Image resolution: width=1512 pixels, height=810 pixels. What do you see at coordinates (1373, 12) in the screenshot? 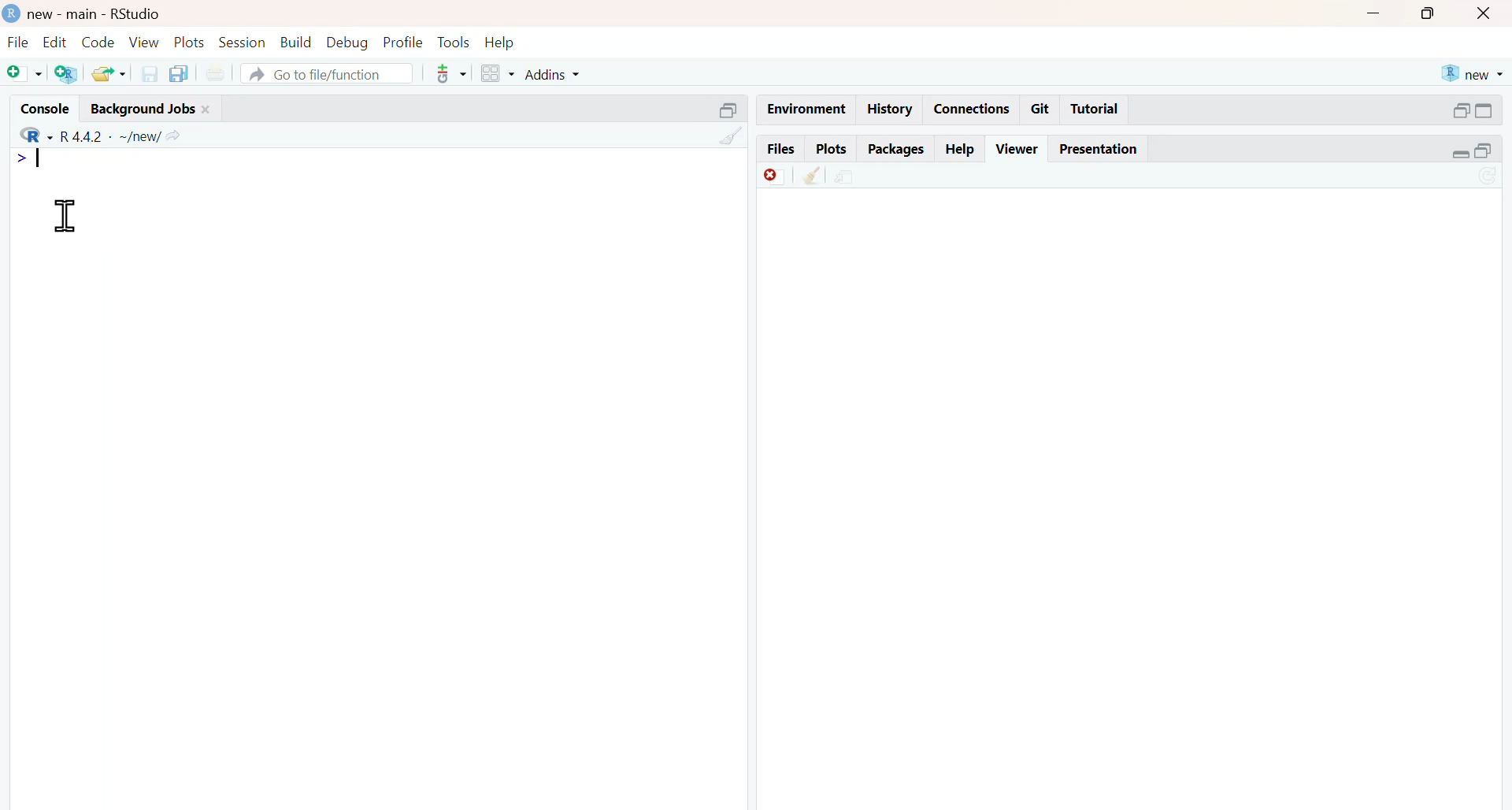
I see `Minimise` at bounding box center [1373, 12].